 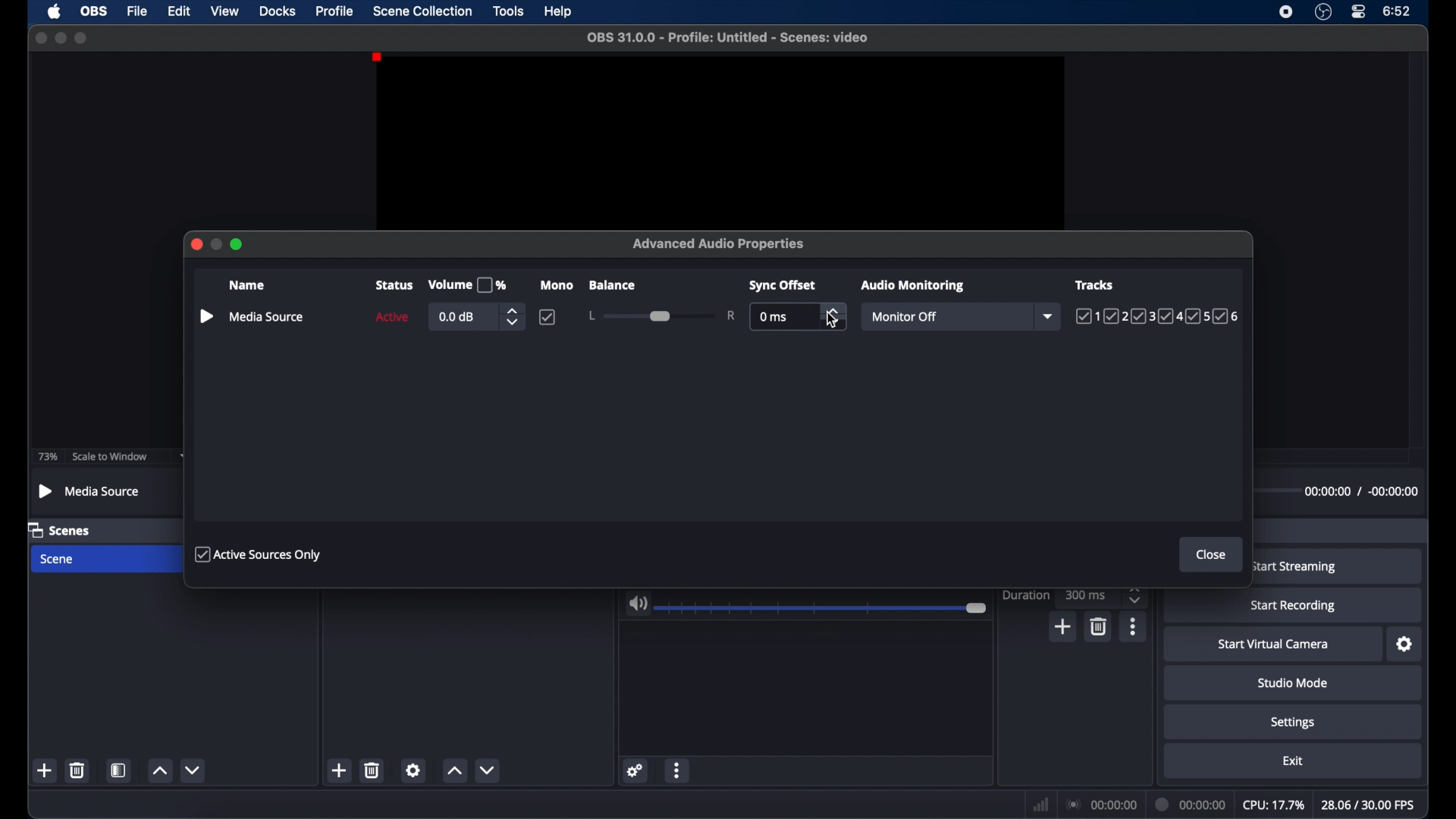 What do you see at coordinates (637, 604) in the screenshot?
I see `volume` at bounding box center [637, 604].